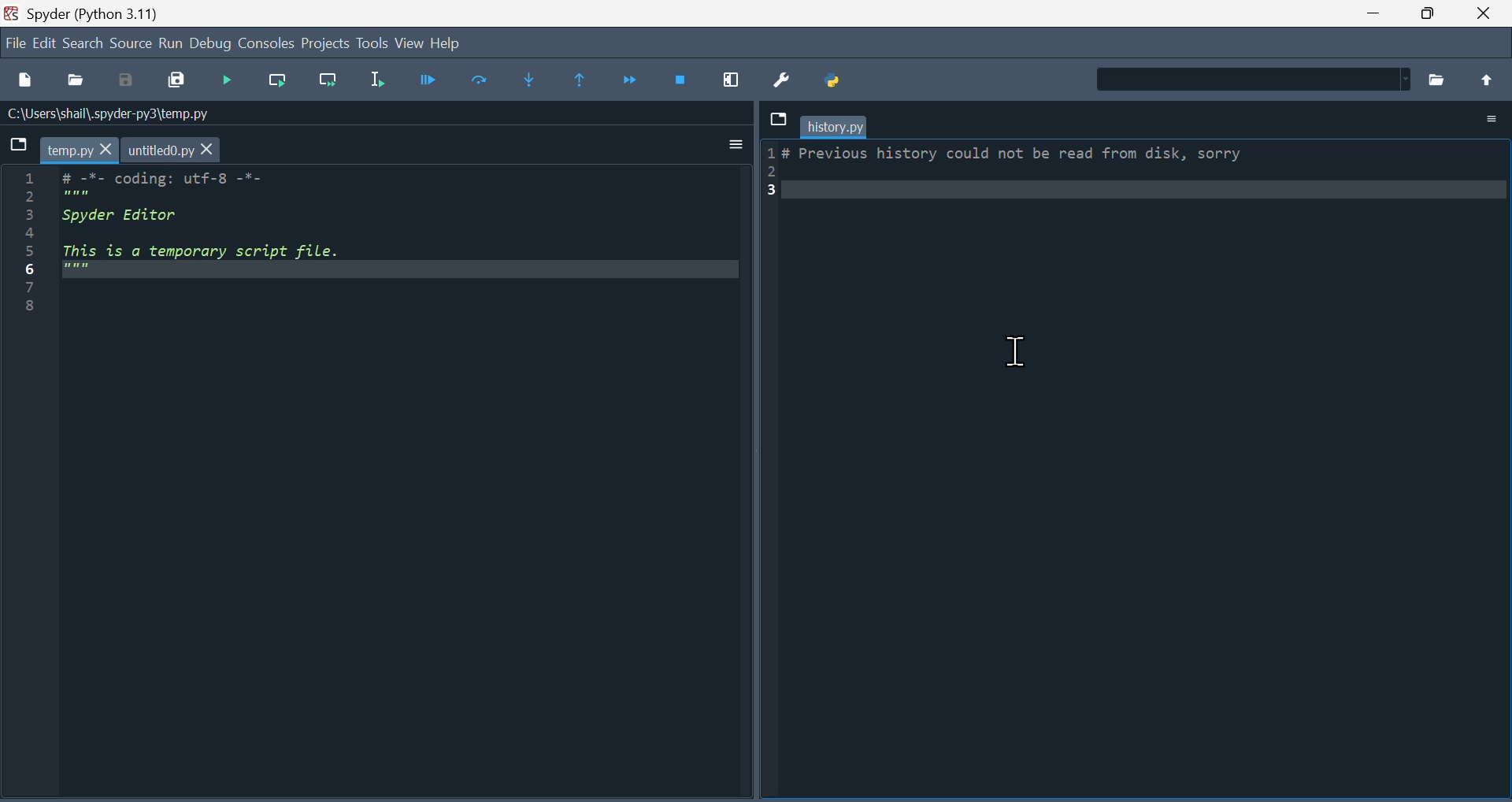  I want to click on Spyder logo, so click(9, 13).